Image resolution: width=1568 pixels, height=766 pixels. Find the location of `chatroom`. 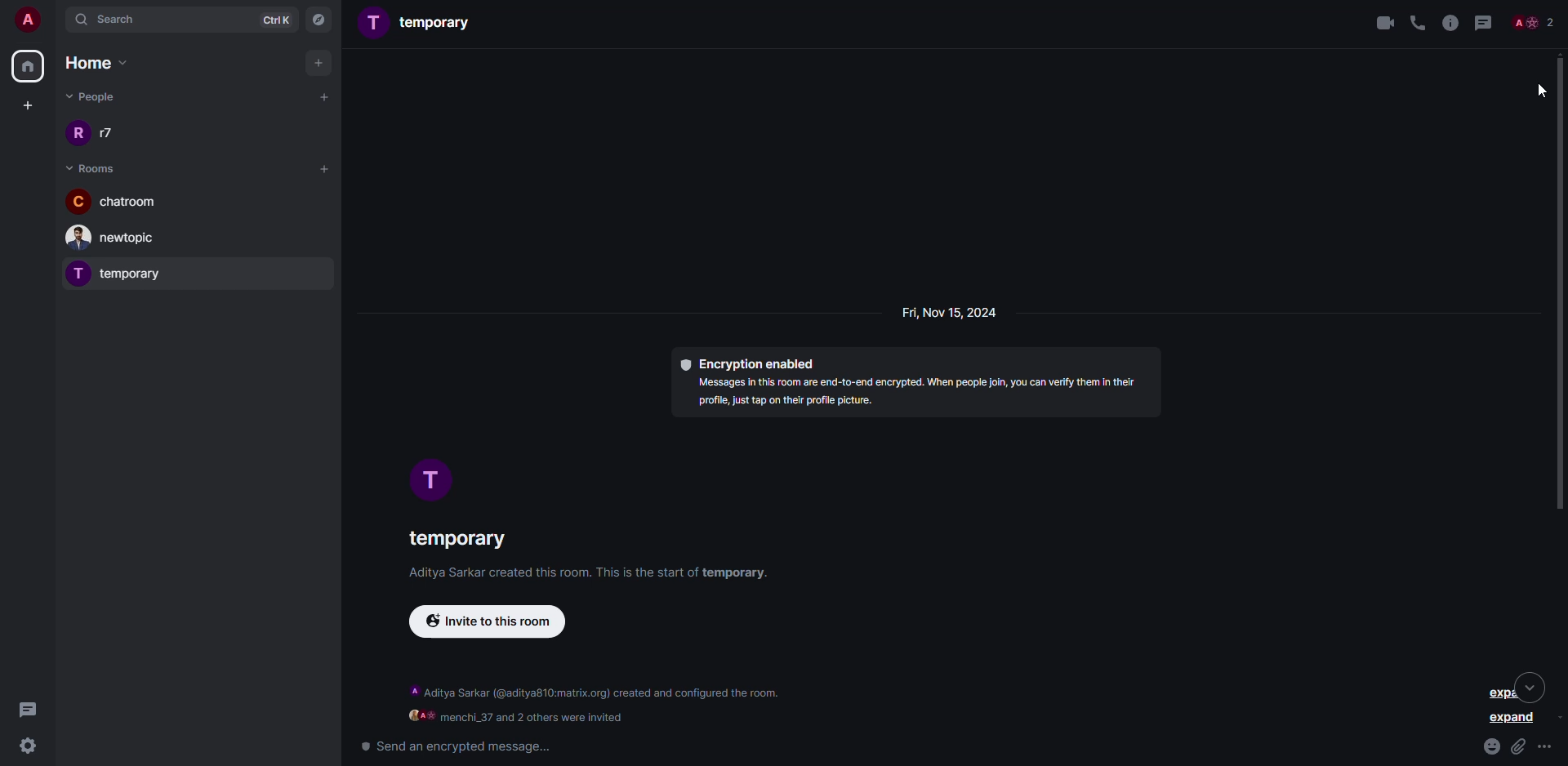

chatroom is located at coordinates (114, 200).